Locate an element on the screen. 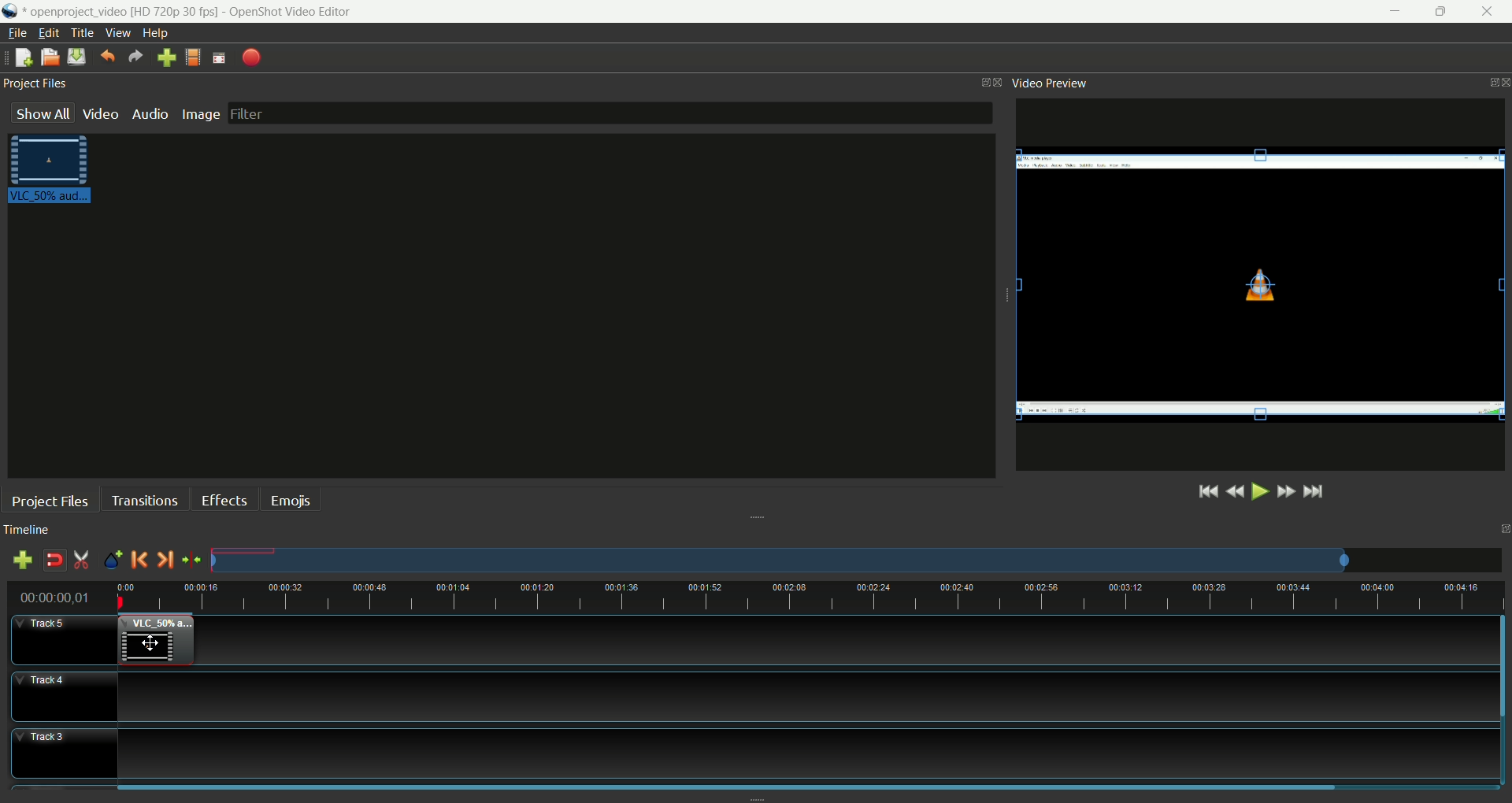 The height and width of the screenshot is (803, 1512). maximize is located at coordinates (1443, 13).